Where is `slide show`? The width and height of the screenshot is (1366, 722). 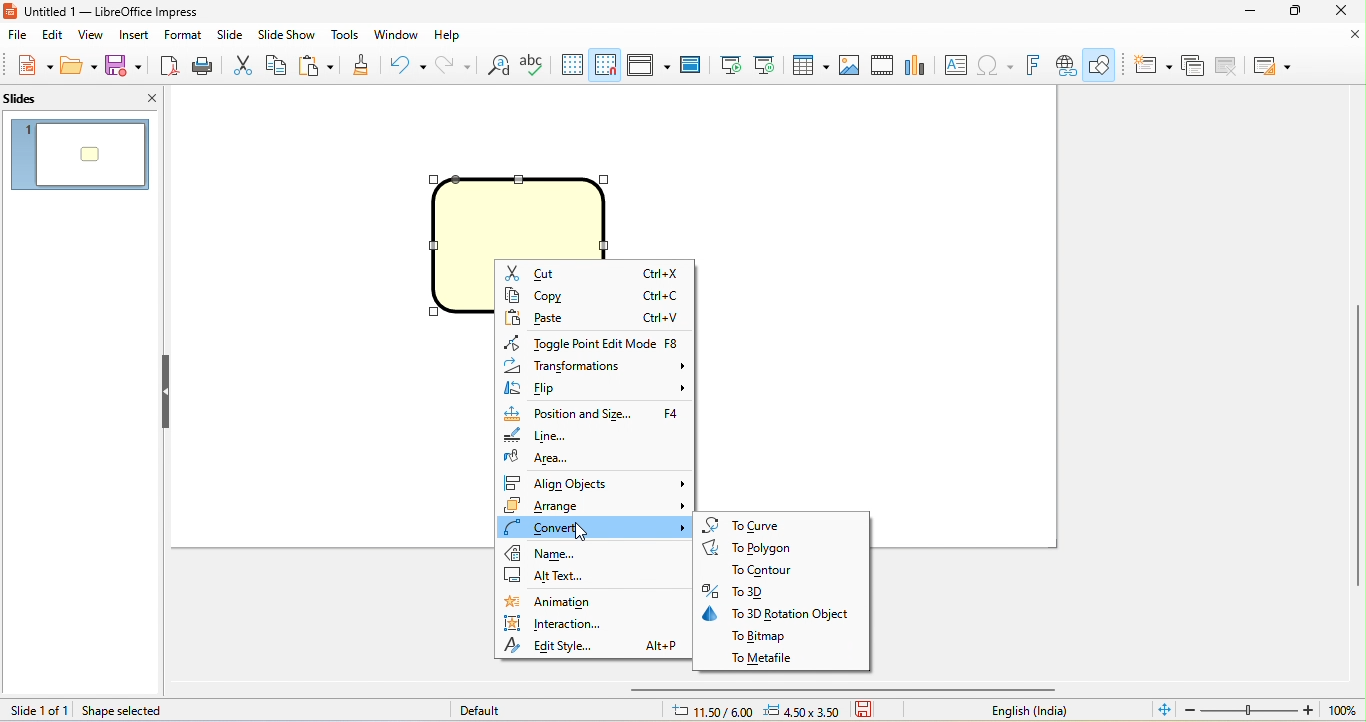 slide show is located at coordinates (289, 34).